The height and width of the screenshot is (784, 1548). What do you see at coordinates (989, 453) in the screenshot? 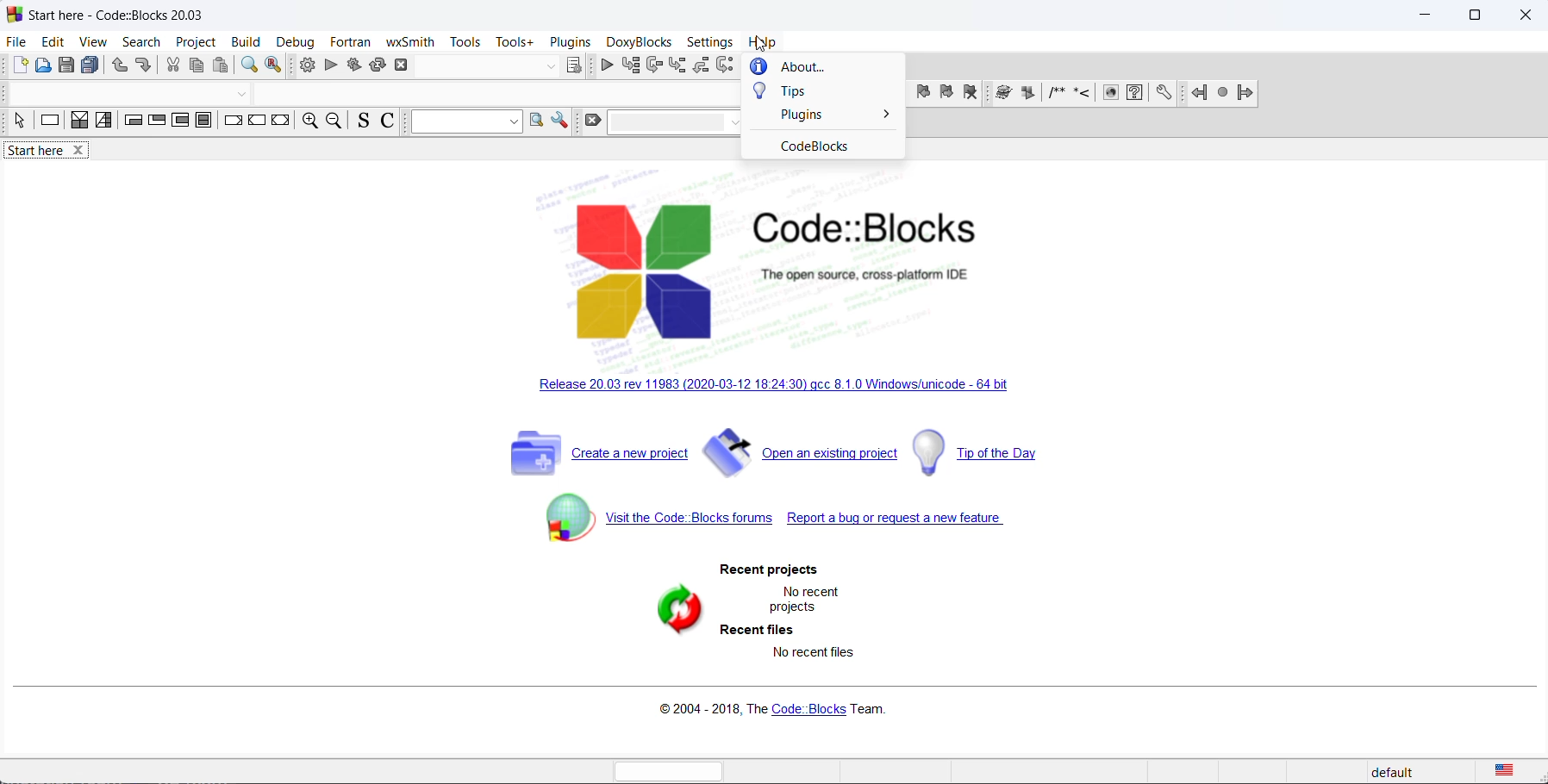
I see `tip day` at bounding box center [989, 453].